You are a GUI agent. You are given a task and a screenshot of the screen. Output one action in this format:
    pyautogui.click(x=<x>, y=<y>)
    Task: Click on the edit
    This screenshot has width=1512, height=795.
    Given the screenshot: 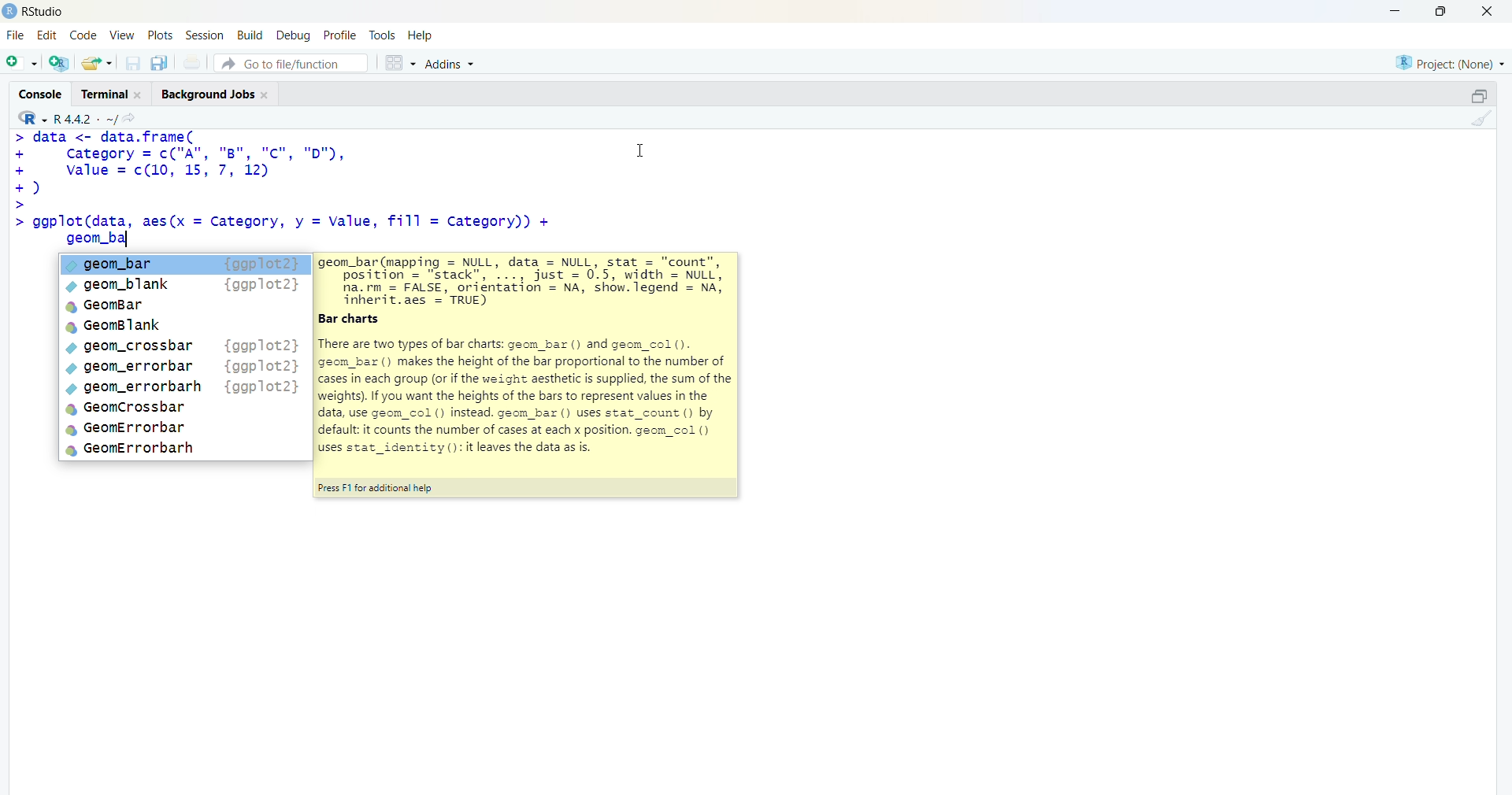 What is the action you would take?
    pyautogui.click(x=47, y=35)
    